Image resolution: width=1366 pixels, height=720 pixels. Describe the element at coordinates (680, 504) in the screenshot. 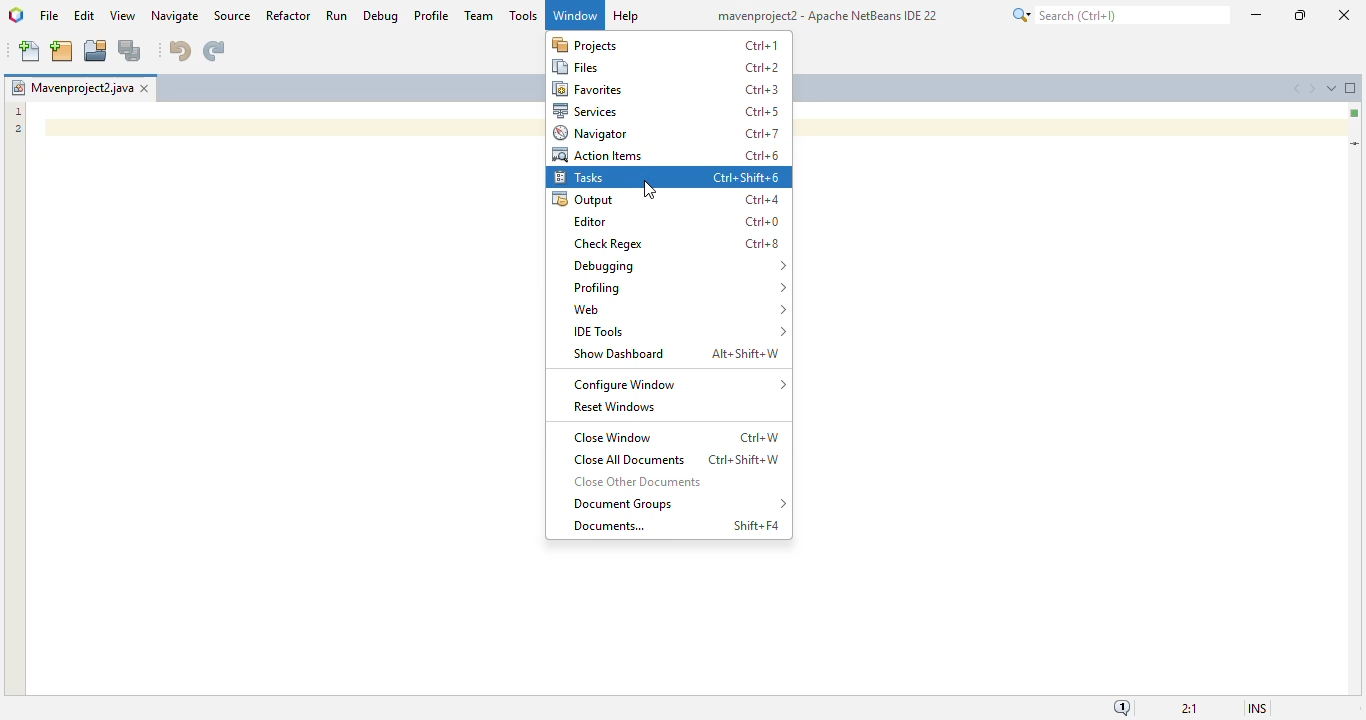

I see `document groups` at that location.